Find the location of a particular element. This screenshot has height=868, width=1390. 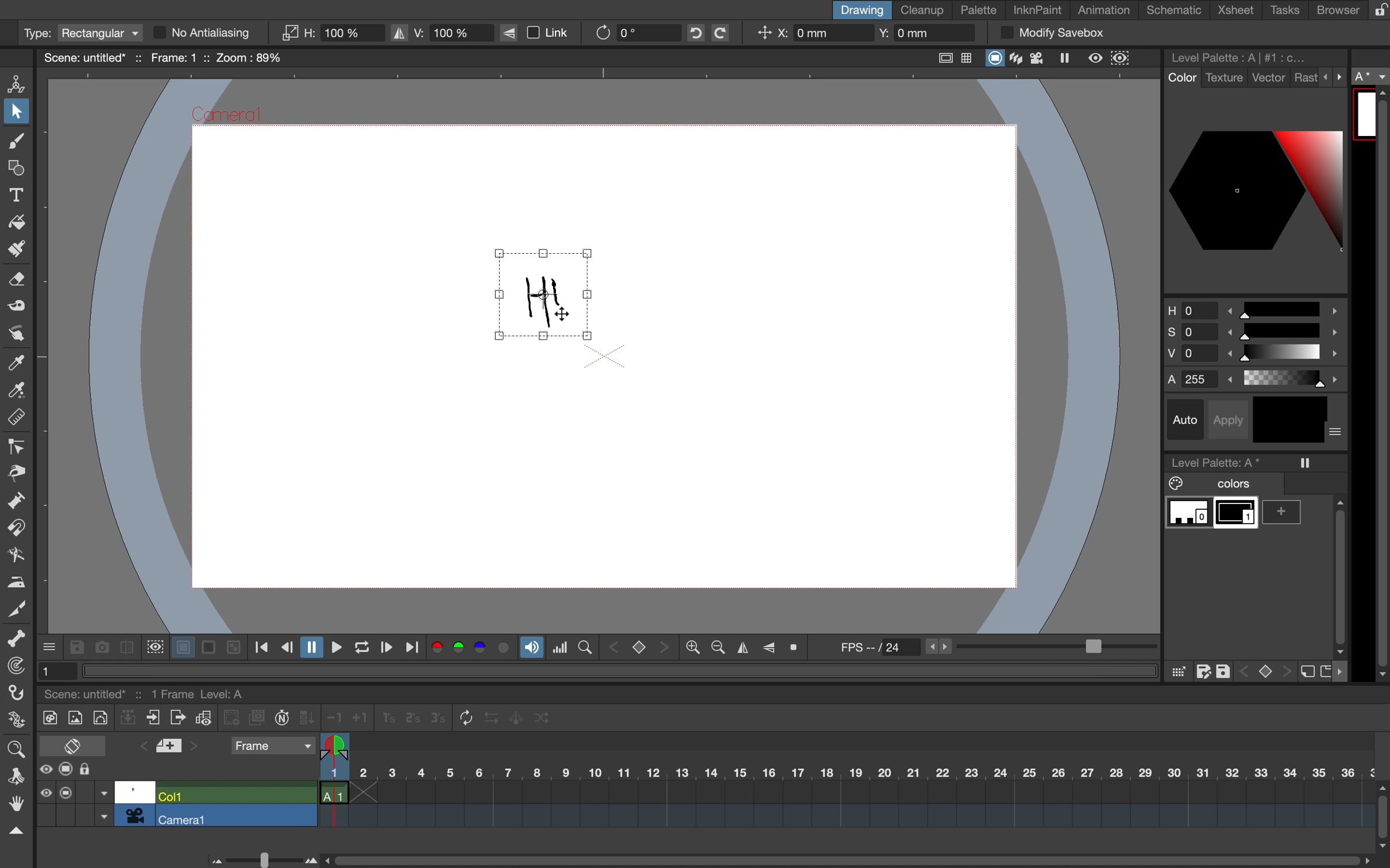

toggle between options is located at coordinates (104, 806).